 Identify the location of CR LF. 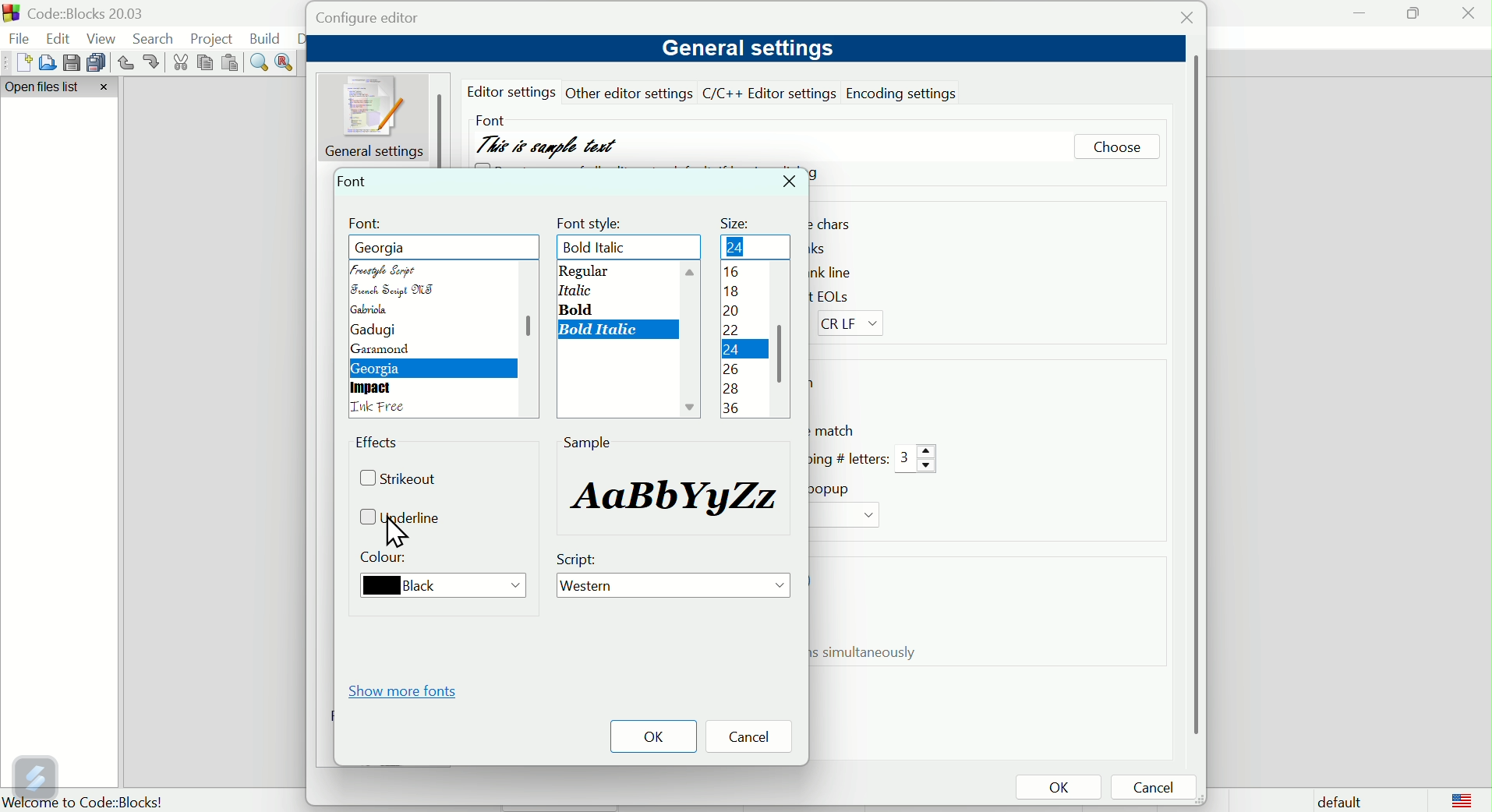
(855, 324).